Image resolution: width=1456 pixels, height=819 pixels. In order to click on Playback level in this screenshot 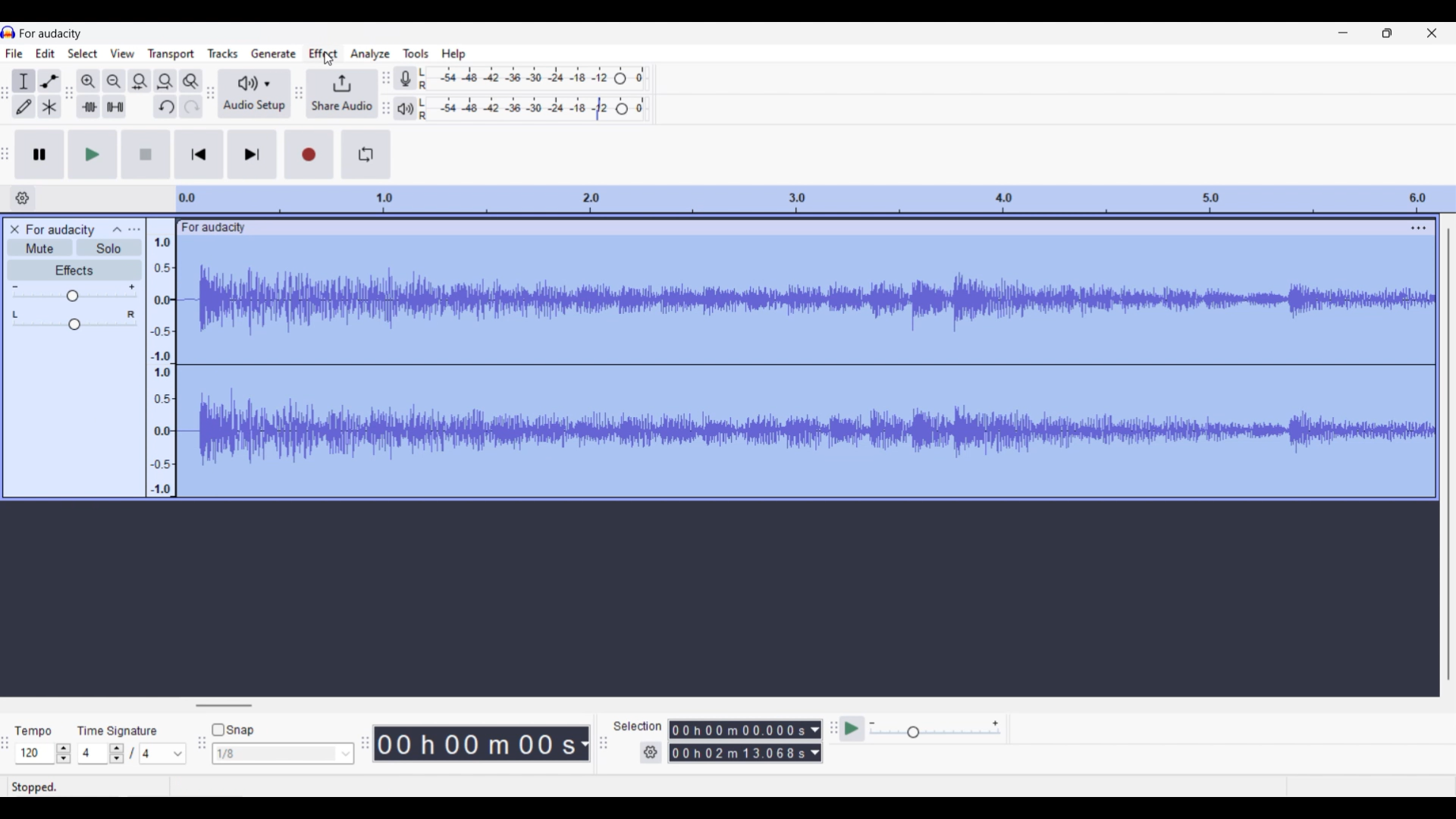, I will do `click(533, 109)`.